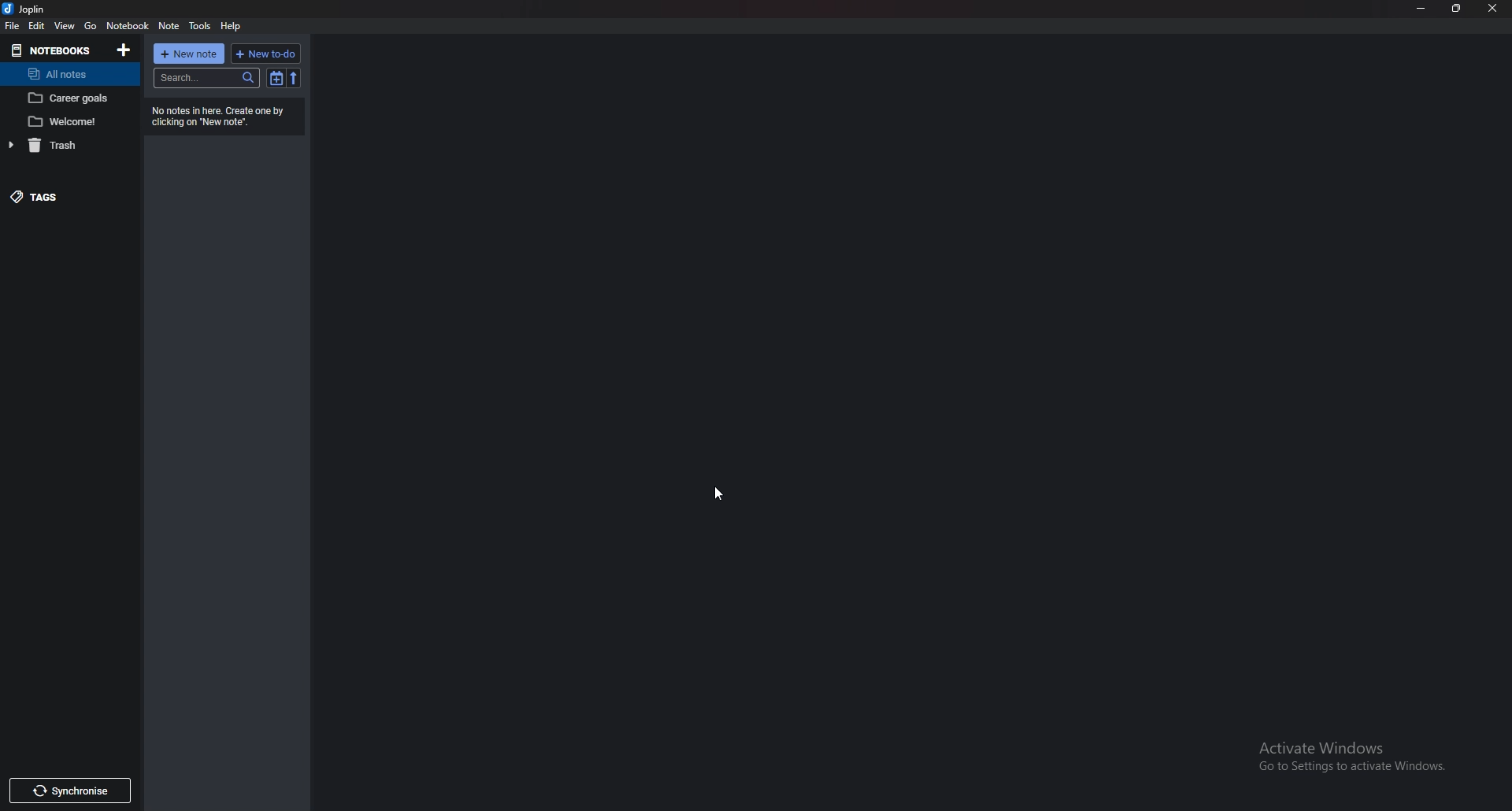 The width and height of the screenshot is (1512, 811). Describe the element at coordinates (1349, 754) in the screenshot. I see `Activate Windows` at that location.